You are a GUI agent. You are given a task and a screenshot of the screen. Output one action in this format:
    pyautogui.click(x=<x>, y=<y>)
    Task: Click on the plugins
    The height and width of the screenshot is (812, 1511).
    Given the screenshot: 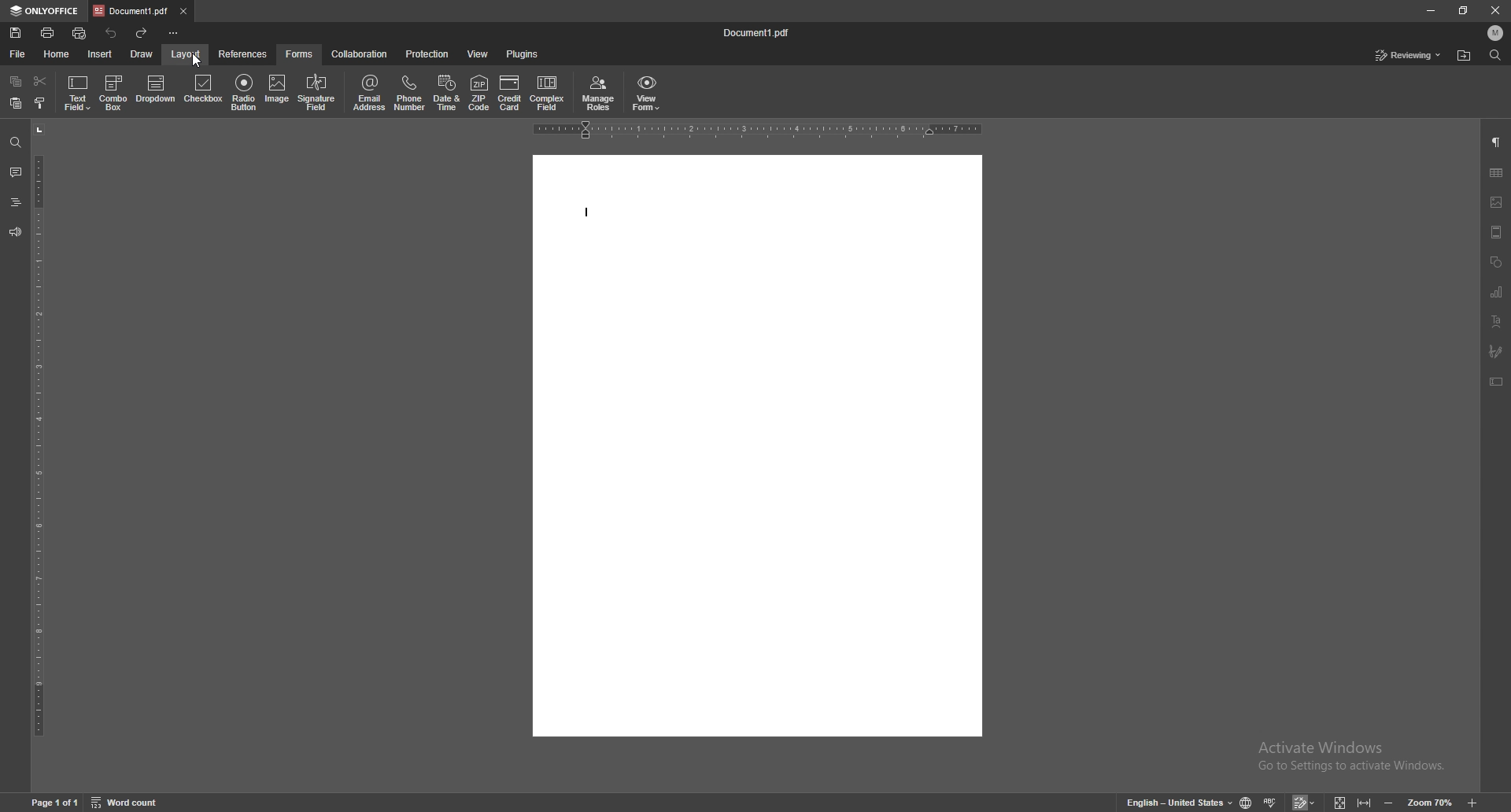 What is the action you would take?
    pyautogui.click(x=523, y=54)
    